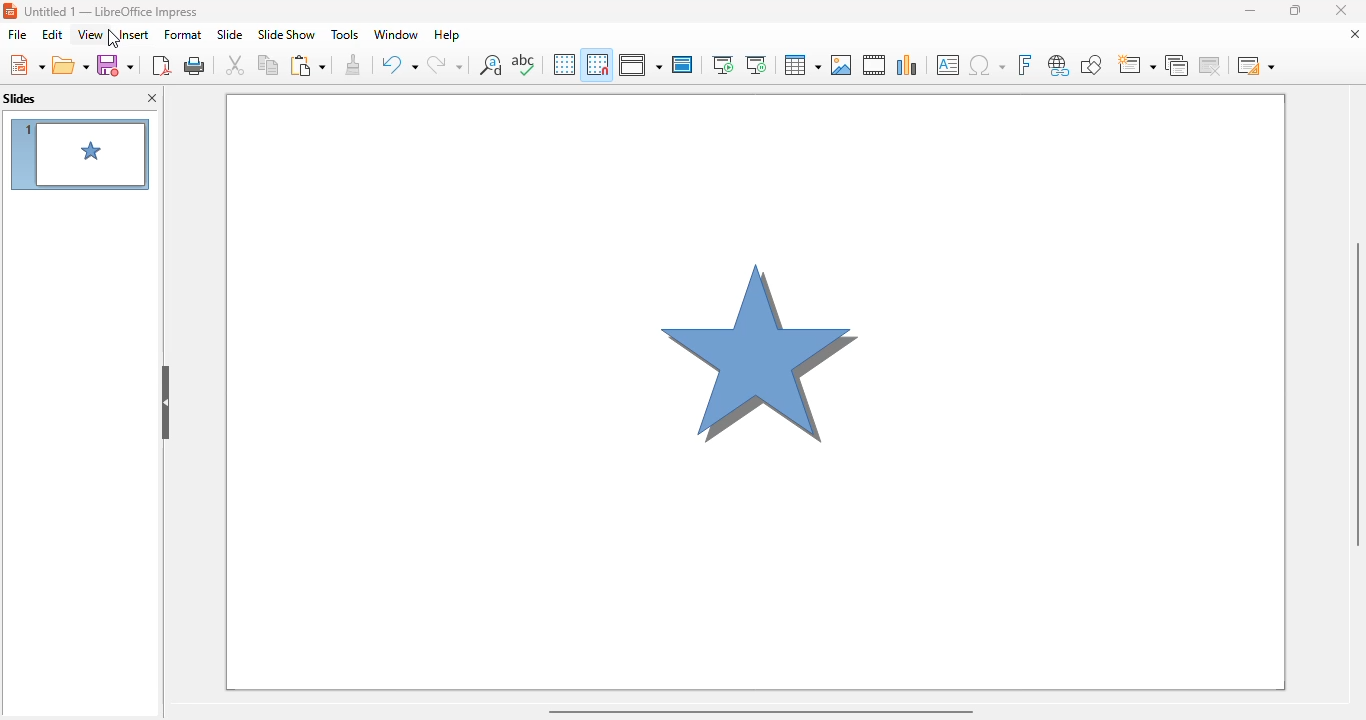  What do you see at coordinates (1136, 66) in the screenshot?
I see `new slide` at bounding box center [1136, 66].